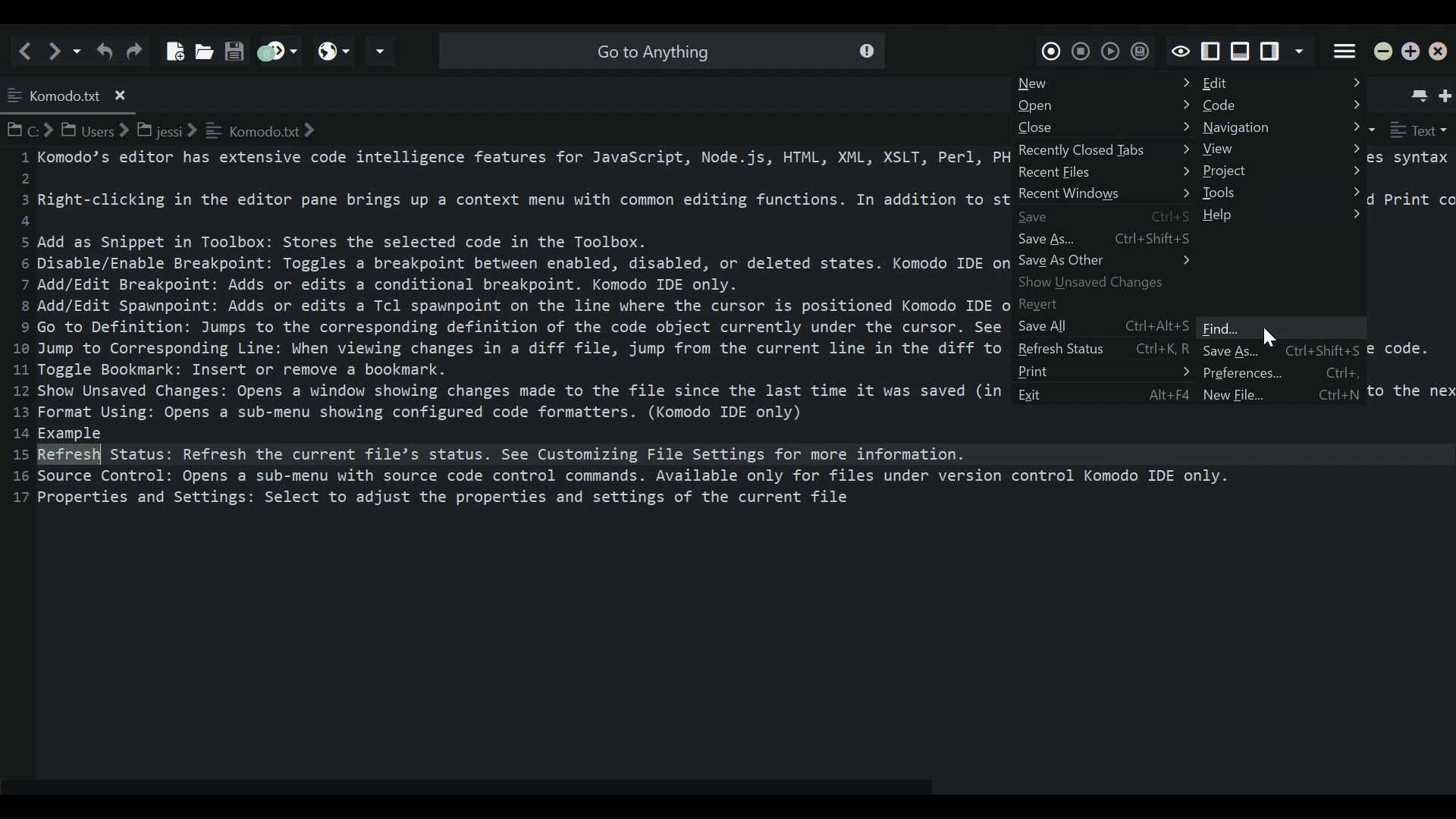 The image size is (1456, 819). Describe the element at coordinates (1284, 172) in the screenshot. I see `Project` at that location.